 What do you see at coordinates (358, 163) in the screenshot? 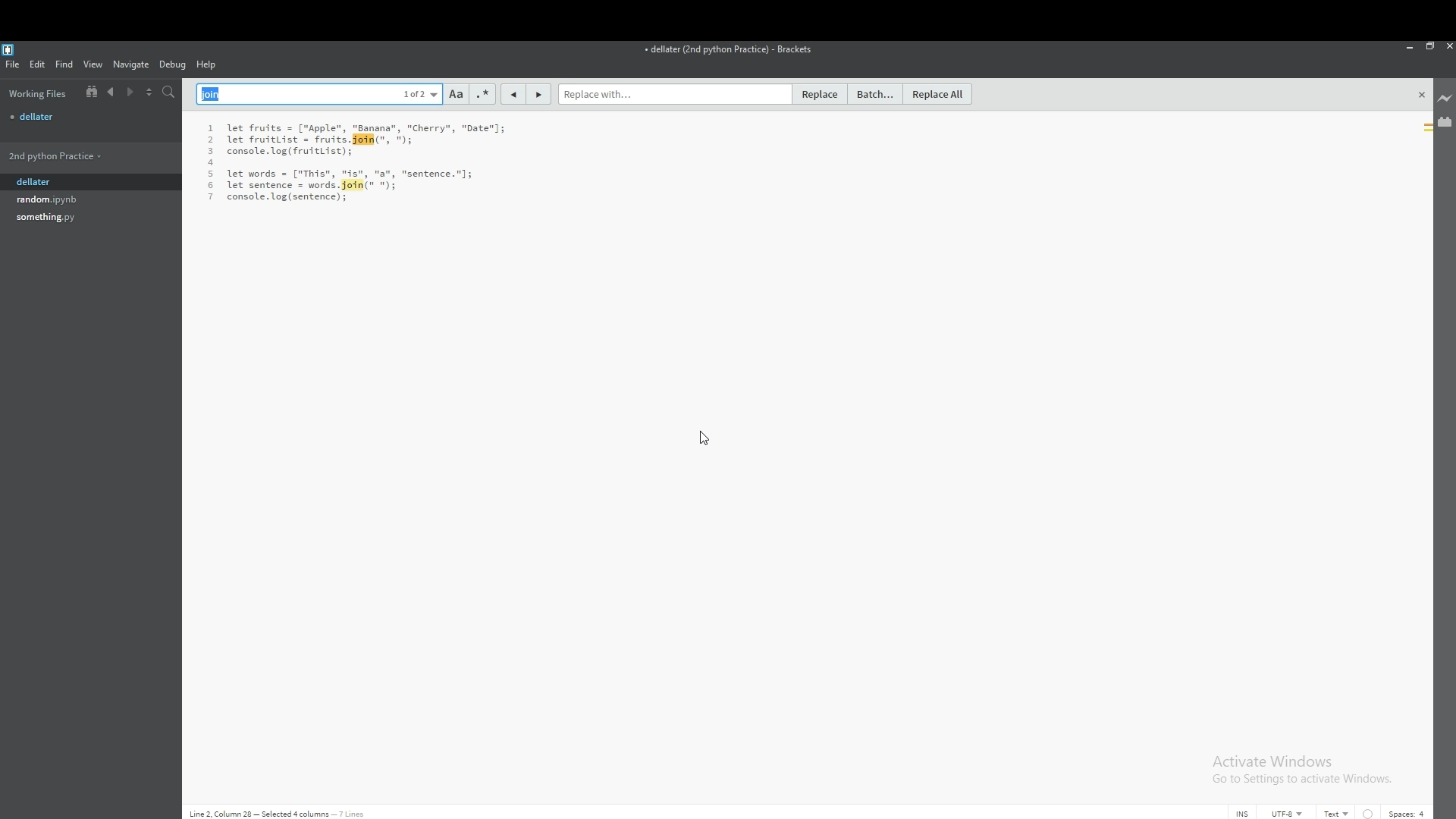
I see `text` at bounding box center [358, 163].